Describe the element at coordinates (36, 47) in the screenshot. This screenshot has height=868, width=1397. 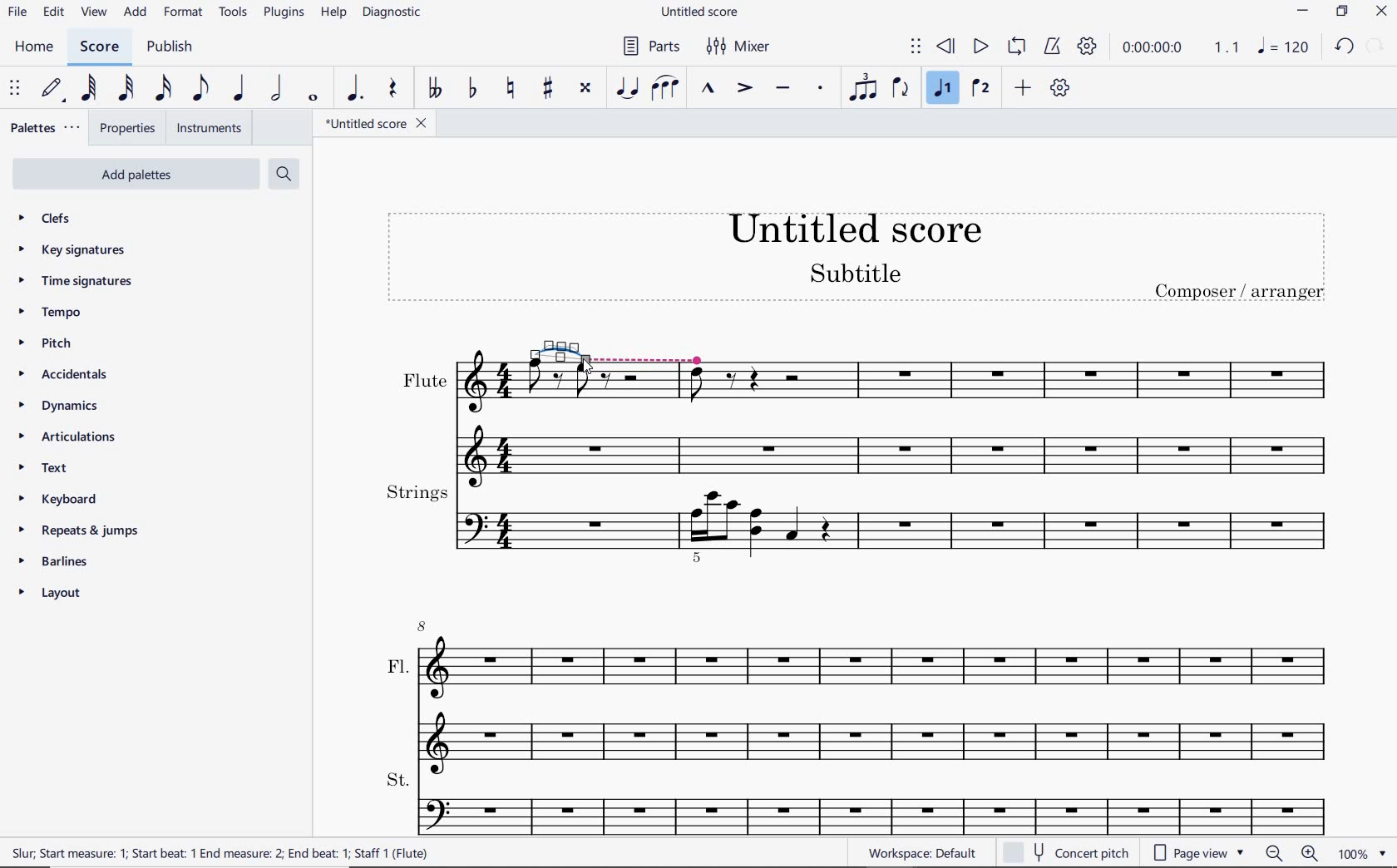
I see `home` at that location.